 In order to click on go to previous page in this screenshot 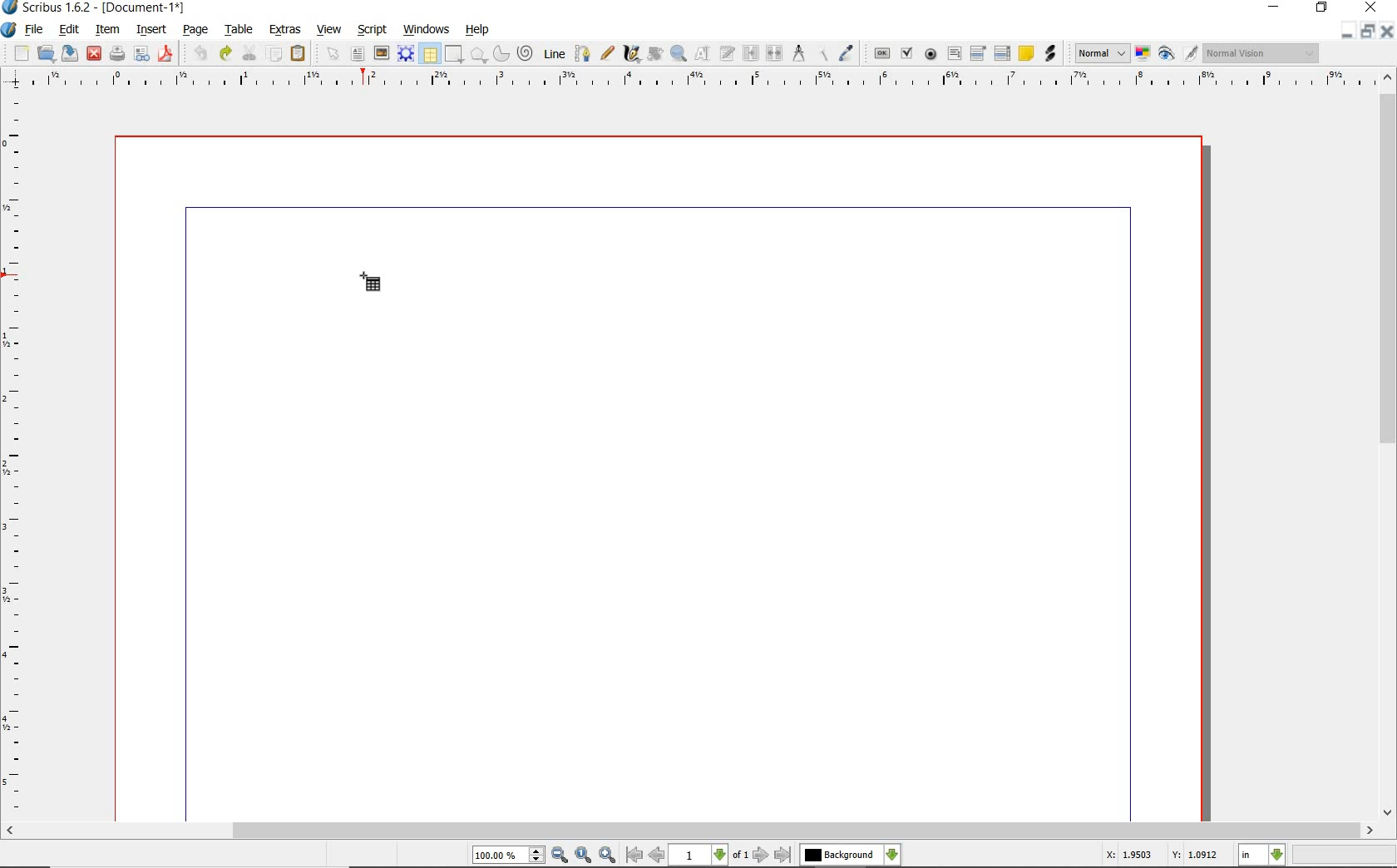, I will do `click(656, 856)`.